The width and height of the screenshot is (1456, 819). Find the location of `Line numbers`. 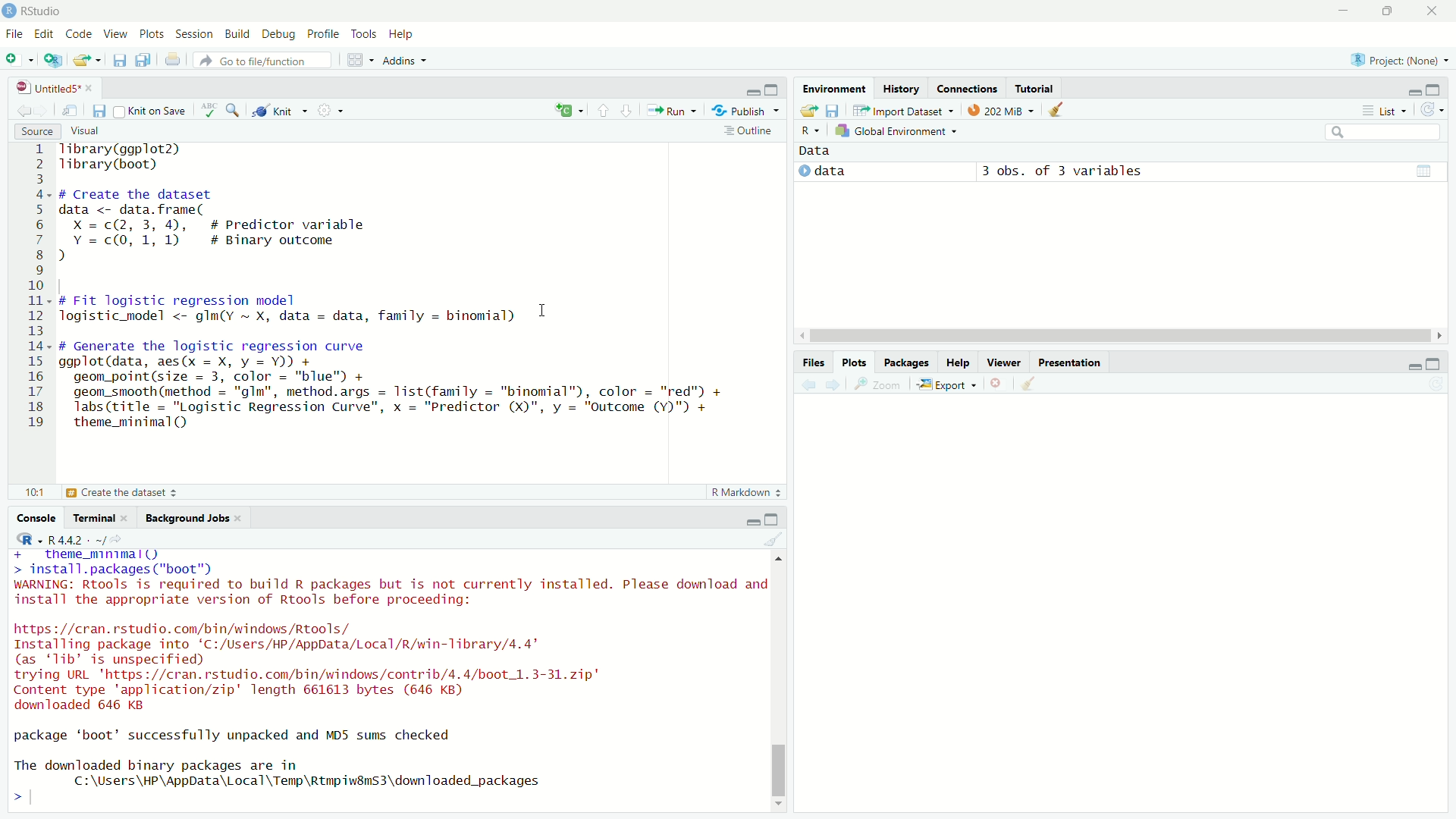

Line numbers is located at coordinates (32, 290).